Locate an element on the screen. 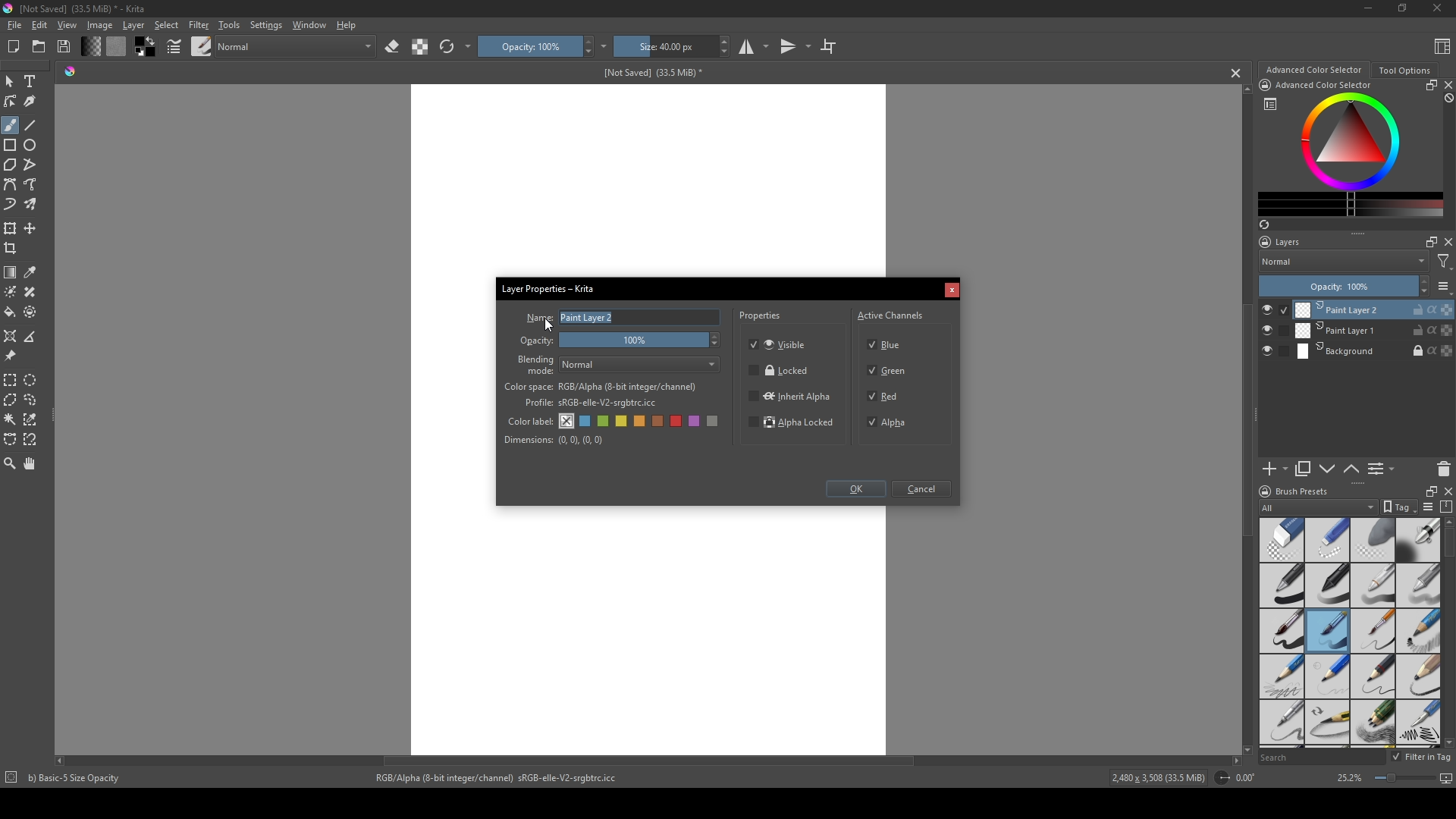  Profile: sRGB-elle-V2-srgbtrc.icc is located at coordinates (591, 403).